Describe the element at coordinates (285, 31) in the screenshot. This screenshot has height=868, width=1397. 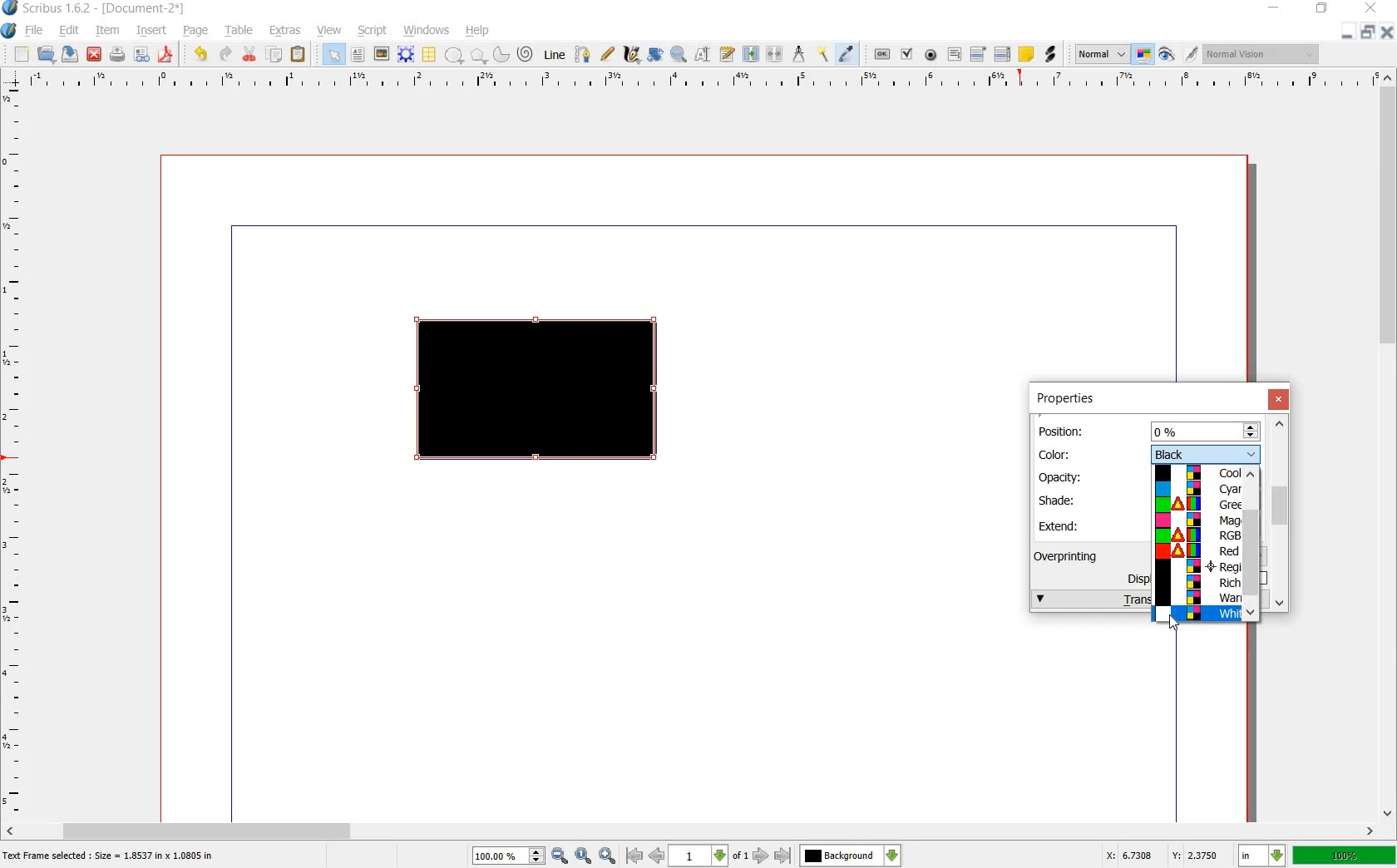
I see `extras` at that location.